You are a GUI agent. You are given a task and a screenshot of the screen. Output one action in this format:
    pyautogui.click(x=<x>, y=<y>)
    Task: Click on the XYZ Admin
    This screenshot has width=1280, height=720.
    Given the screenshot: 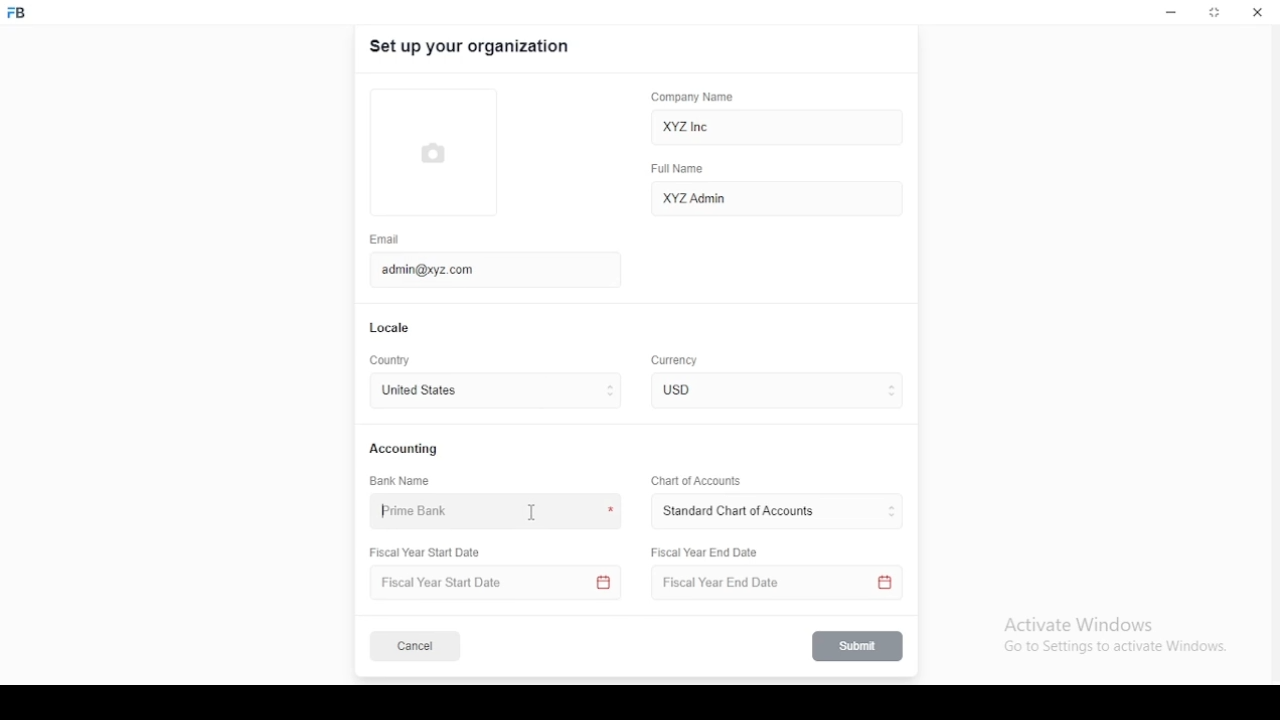 What is the action you would take?
    pyautogui.click(x=777, y=197)
    